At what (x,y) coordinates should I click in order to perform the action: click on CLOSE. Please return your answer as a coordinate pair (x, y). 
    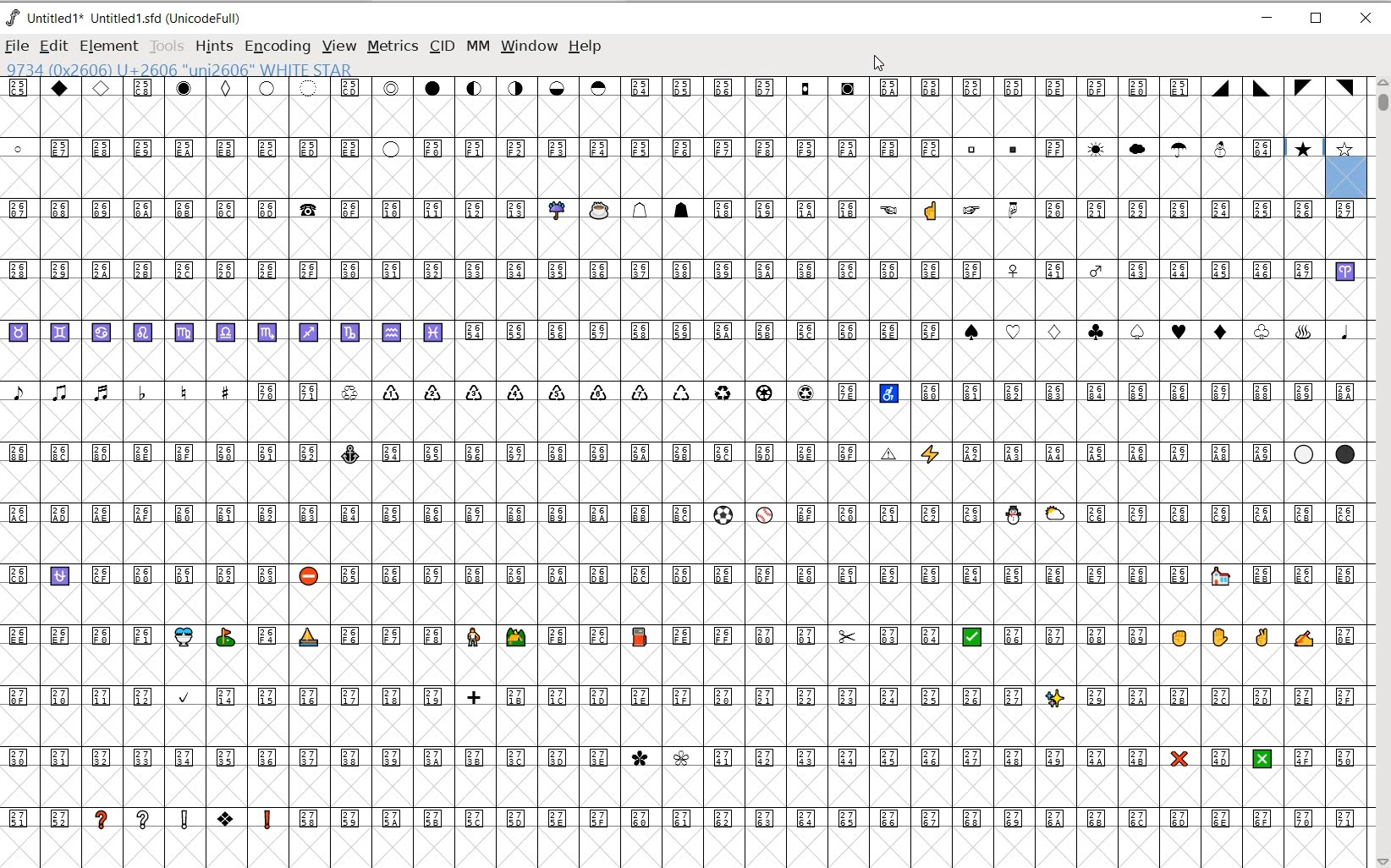
    Looking at the image, I should click on (1366, 19).